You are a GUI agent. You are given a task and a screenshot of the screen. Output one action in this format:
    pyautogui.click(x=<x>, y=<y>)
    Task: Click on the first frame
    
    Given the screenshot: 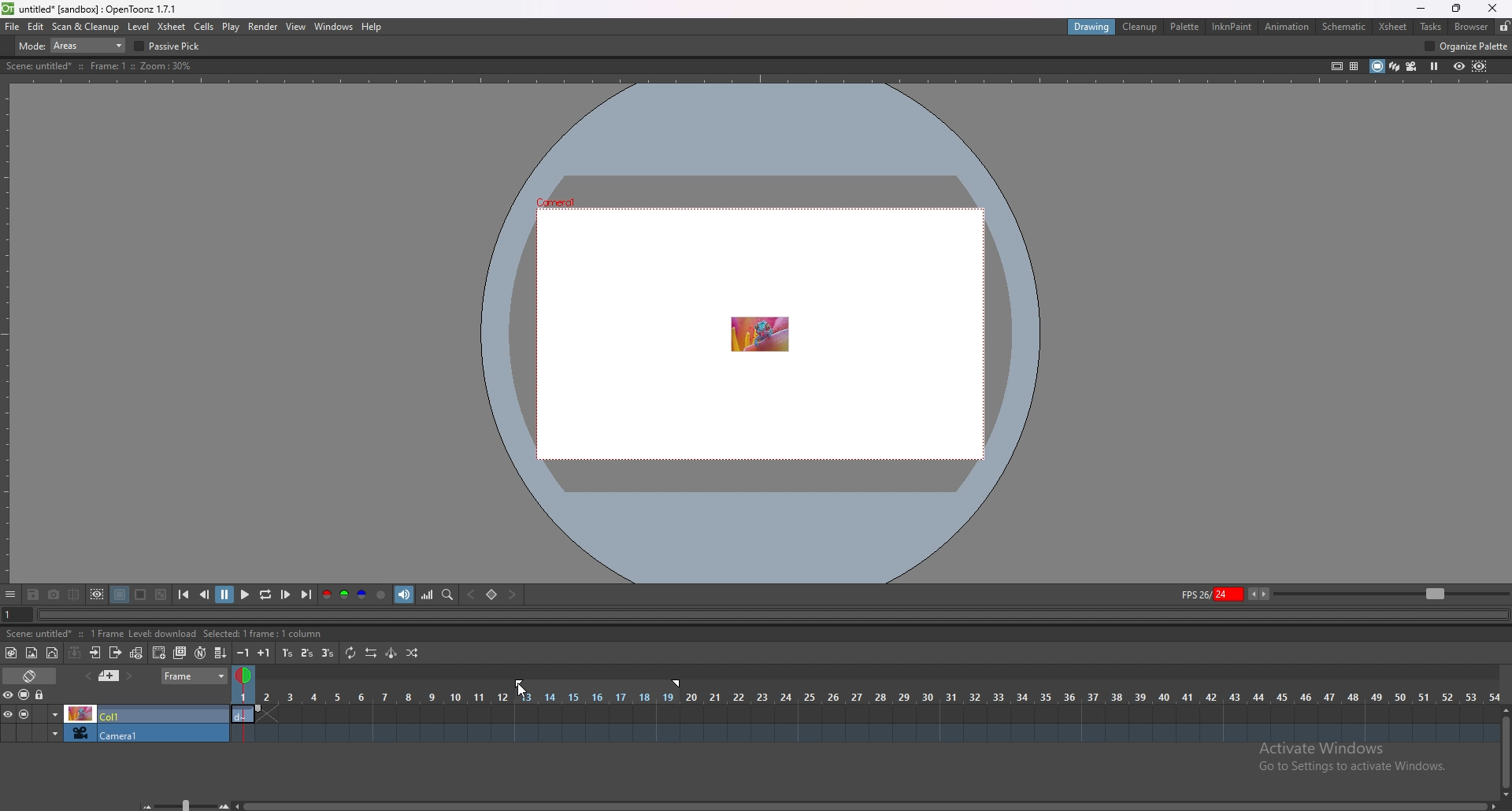 What is the action you would take?
    pyautogui.click(x=184, y=595)
    